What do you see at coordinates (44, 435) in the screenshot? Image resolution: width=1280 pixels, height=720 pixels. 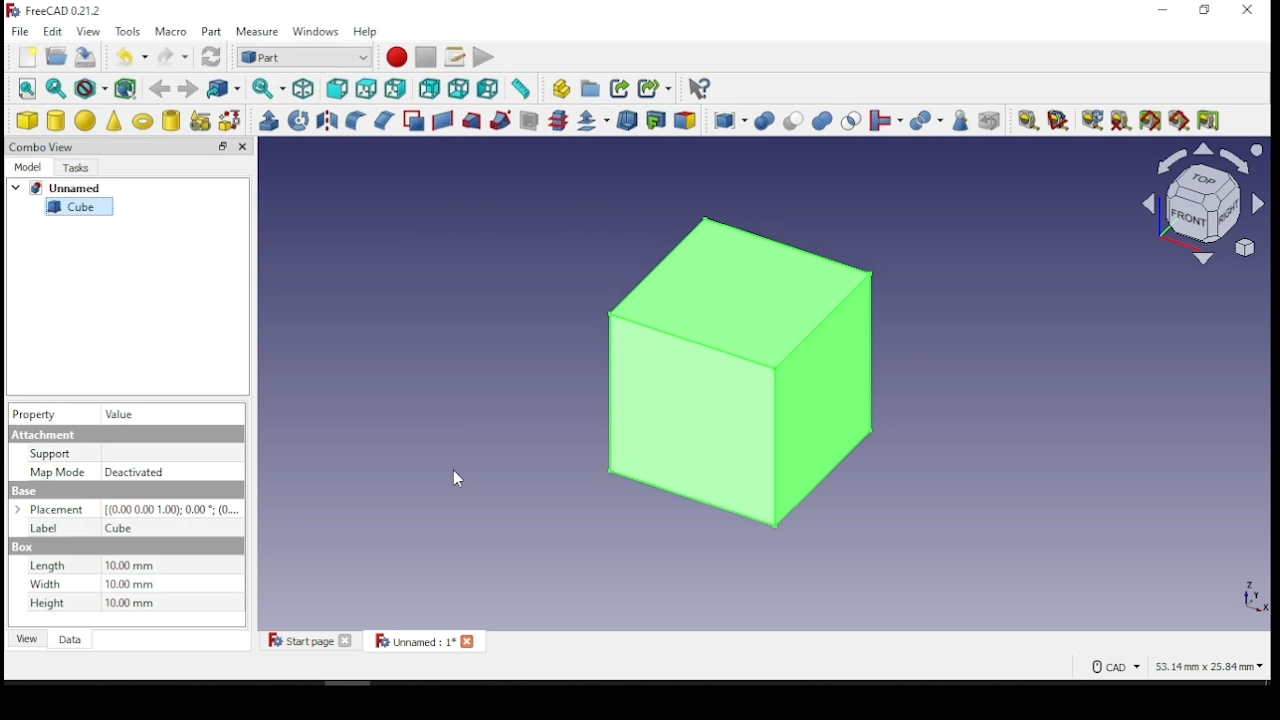 I see `Attachment` at bounding box center [44, 435].